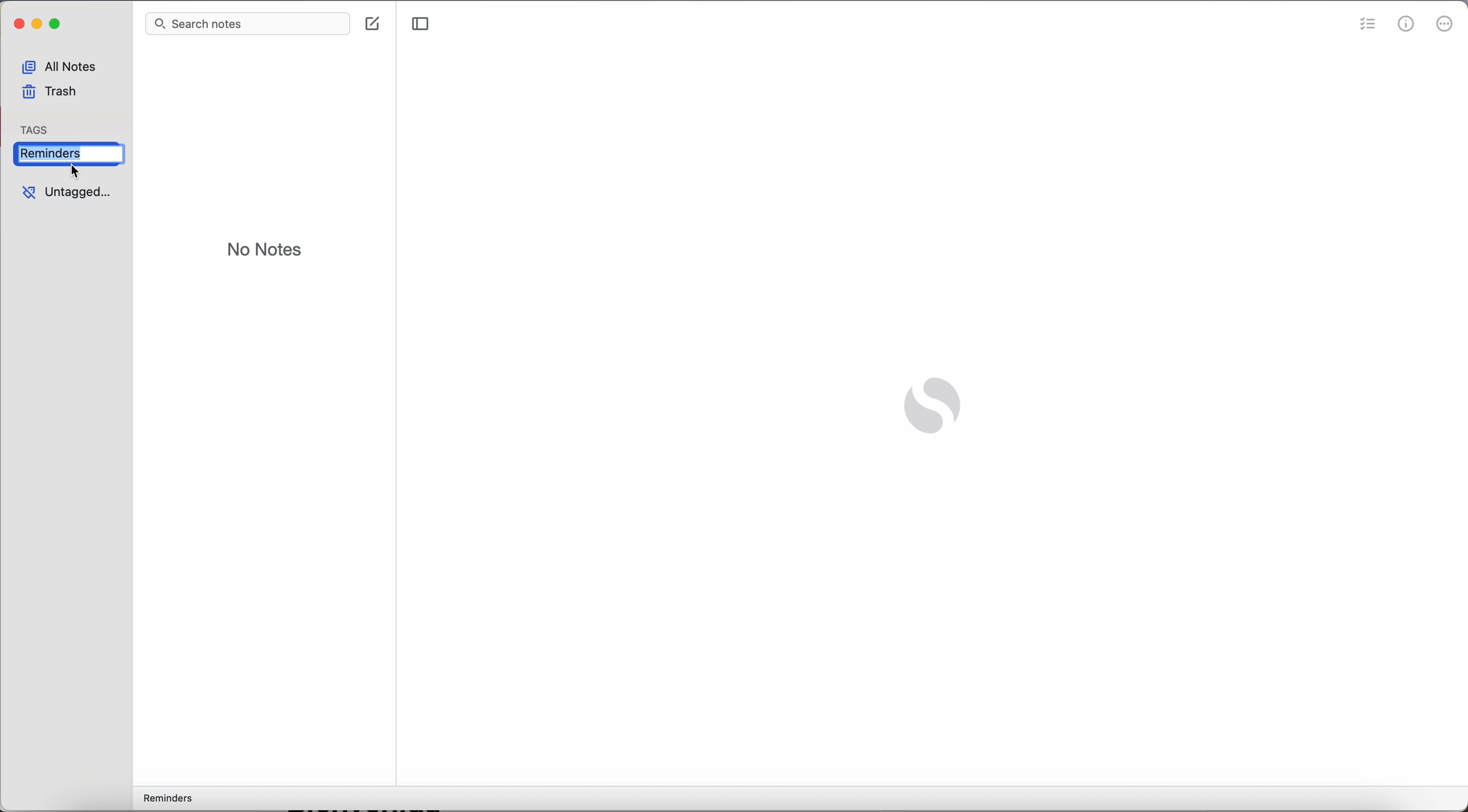 This screenshot has width=1468, height=812. What do you see at coordinates (421, 26) in the screenshot?
I see `toggle sidebar` at bounding box center [421, 26].